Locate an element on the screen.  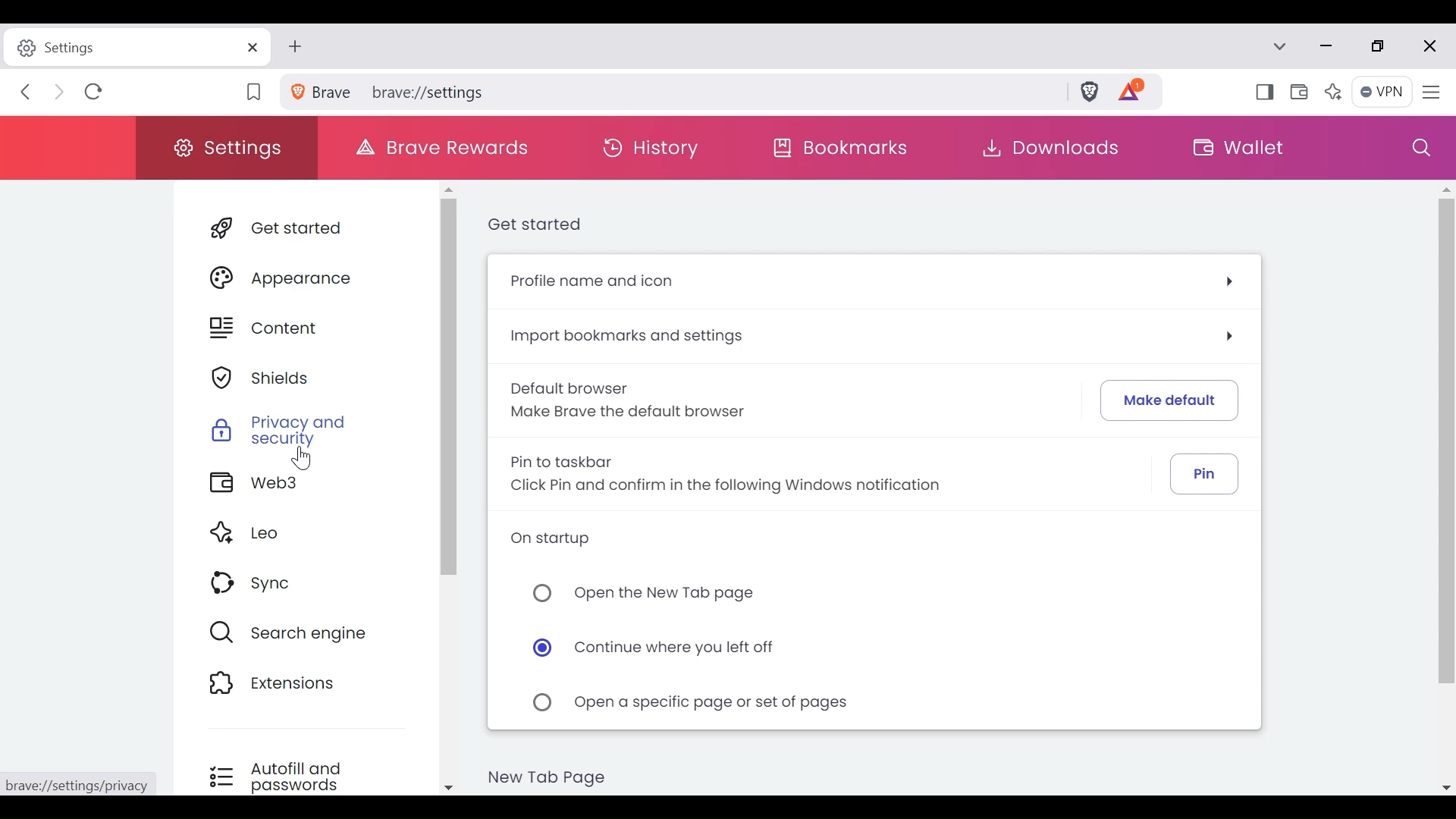
Appearance is located at coordinates (304, 278).